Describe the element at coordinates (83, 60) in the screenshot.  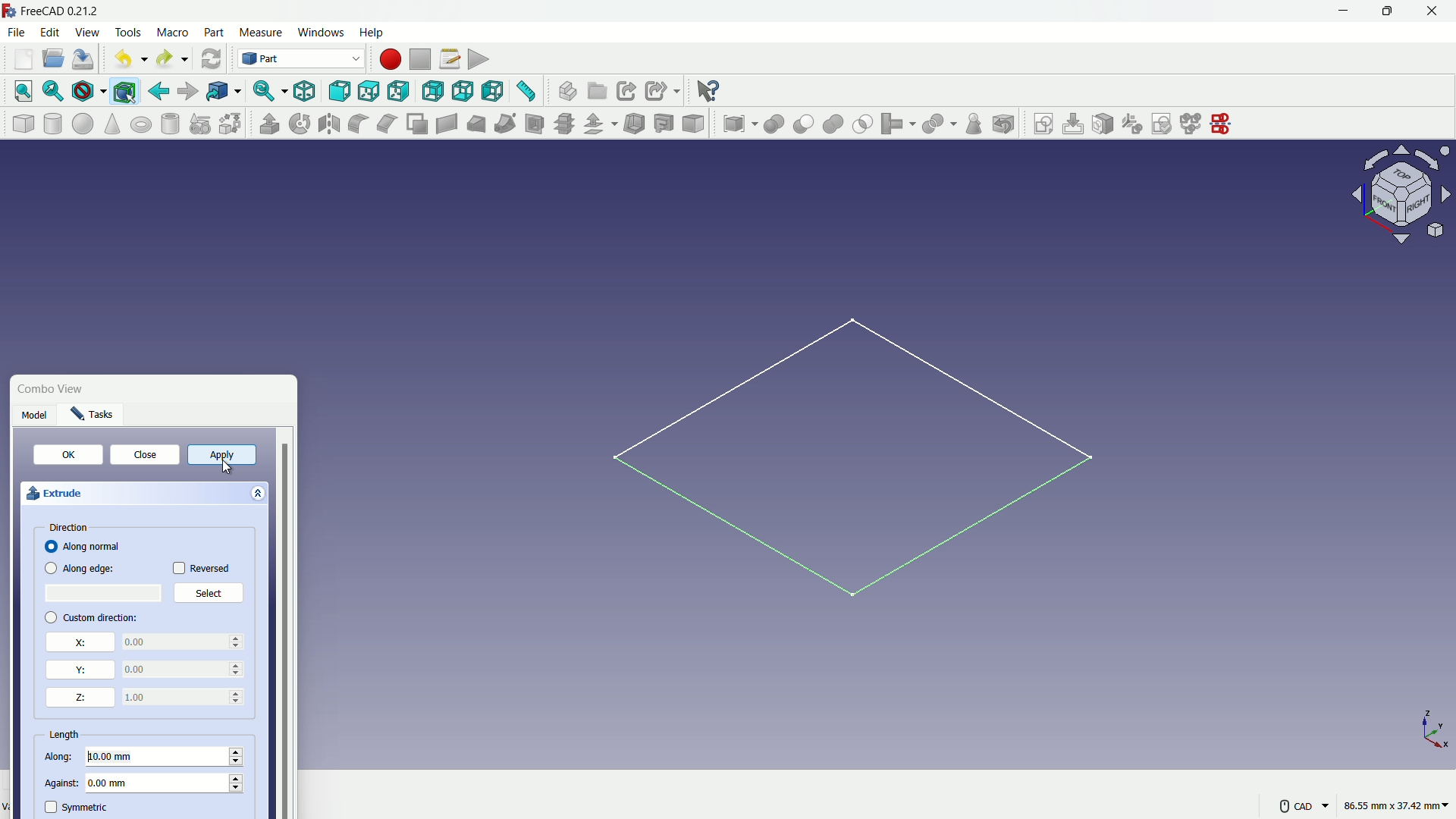
I see `save file` at that location.